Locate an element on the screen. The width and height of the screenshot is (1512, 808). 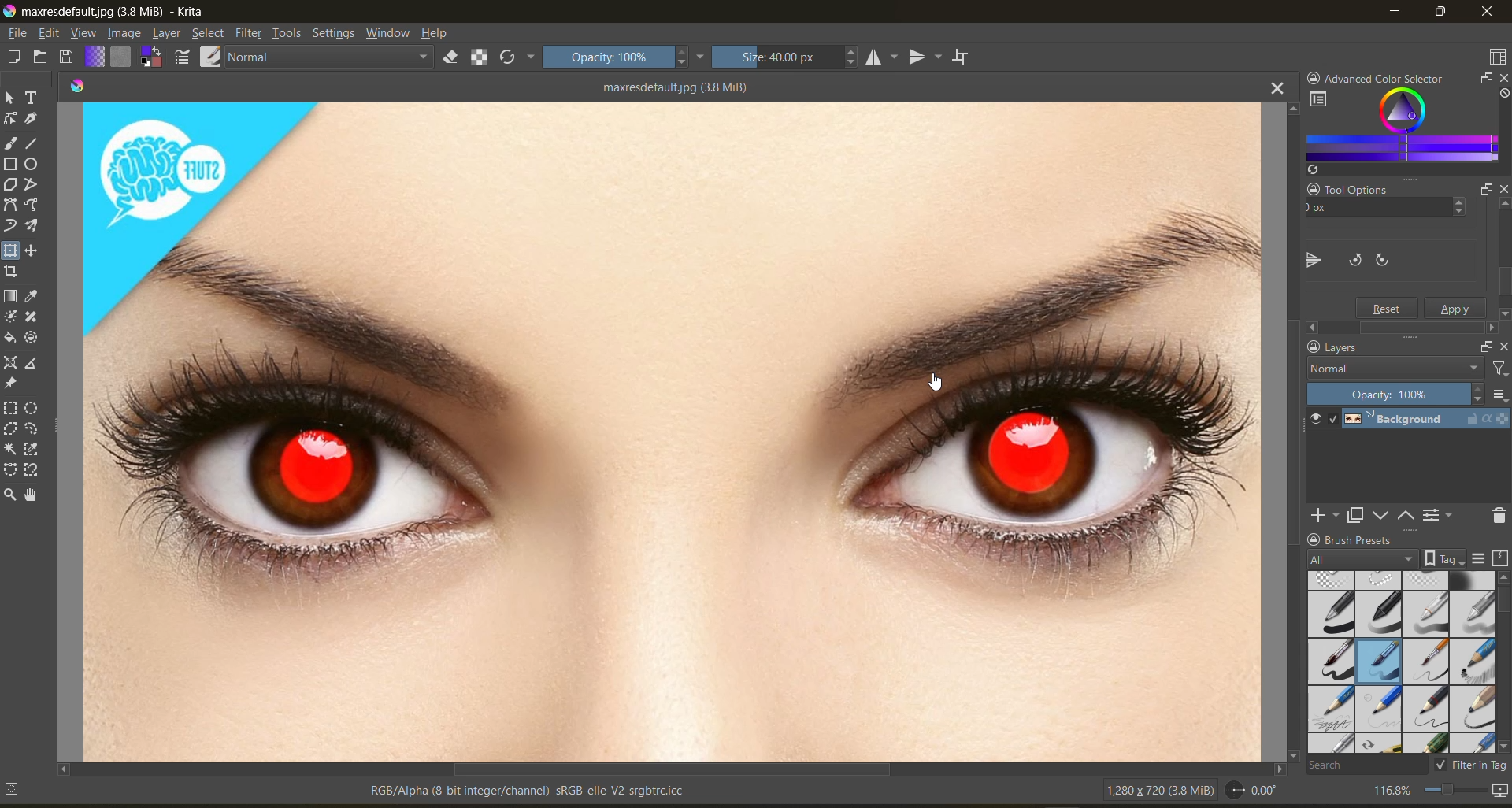
tool is located at coordinates (33, 450).